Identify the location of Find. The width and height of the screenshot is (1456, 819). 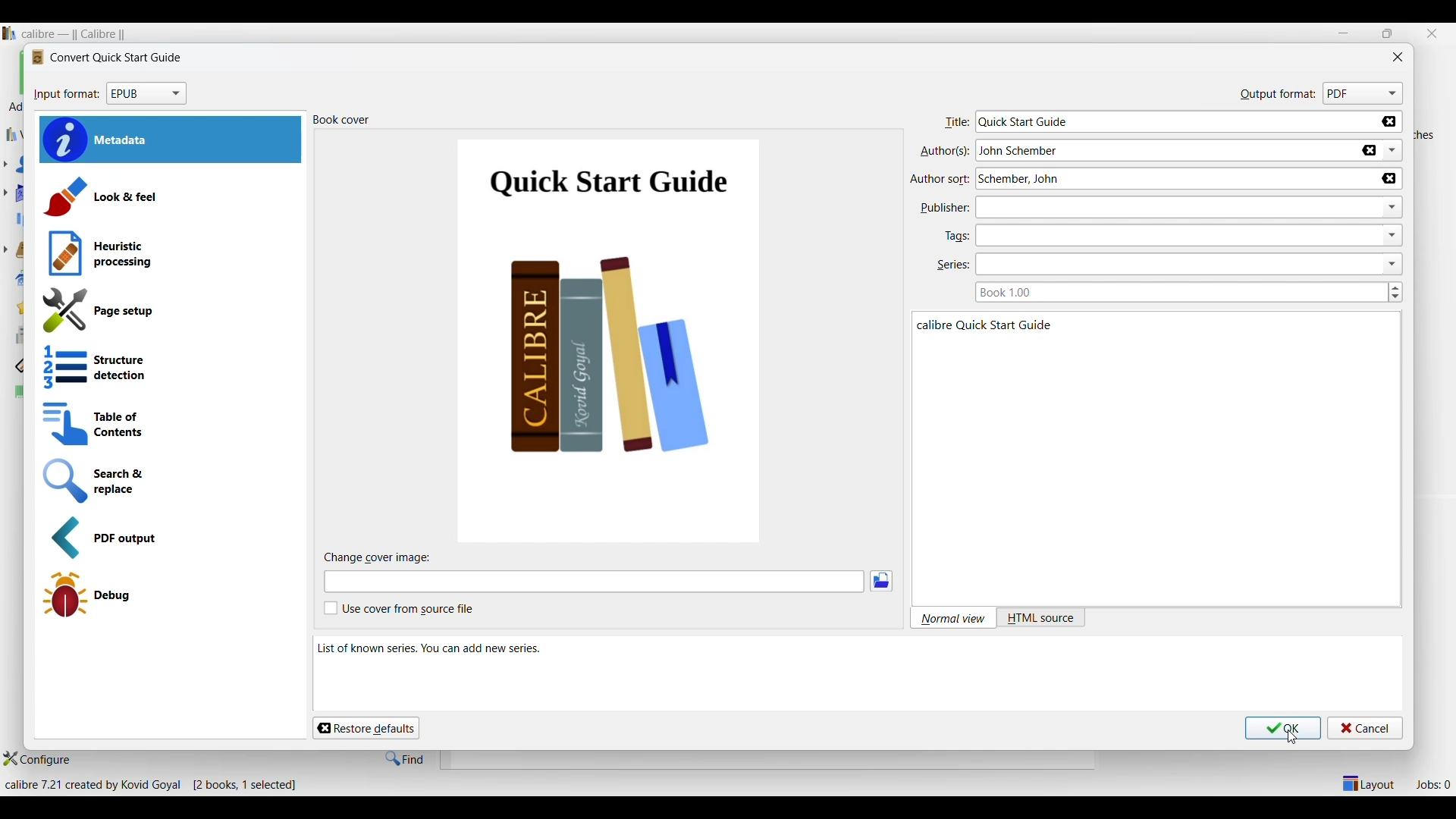
(404, 759).